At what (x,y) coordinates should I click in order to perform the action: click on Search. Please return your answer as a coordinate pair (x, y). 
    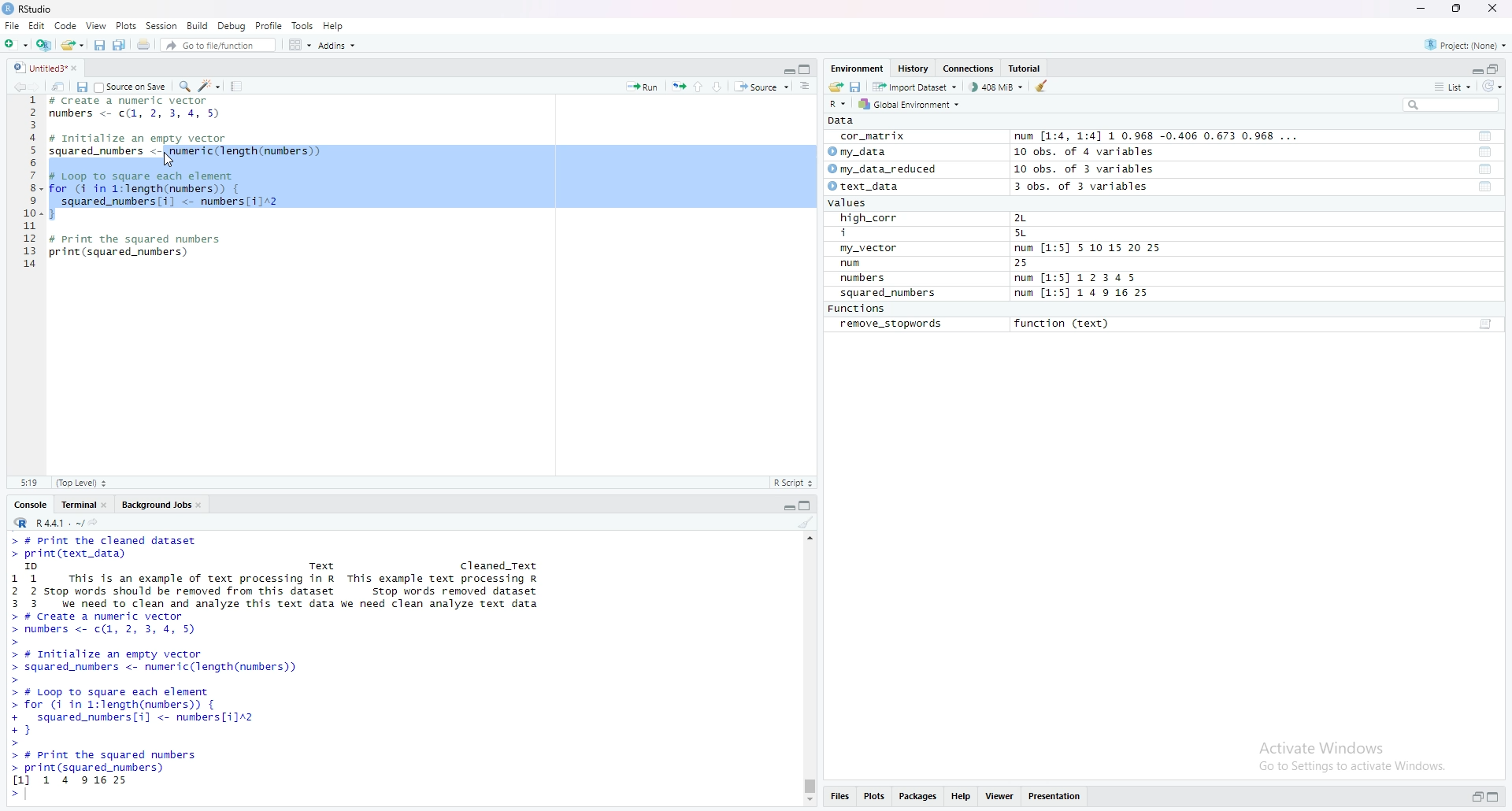
    Looking at the image, I should click on (1451, 105).